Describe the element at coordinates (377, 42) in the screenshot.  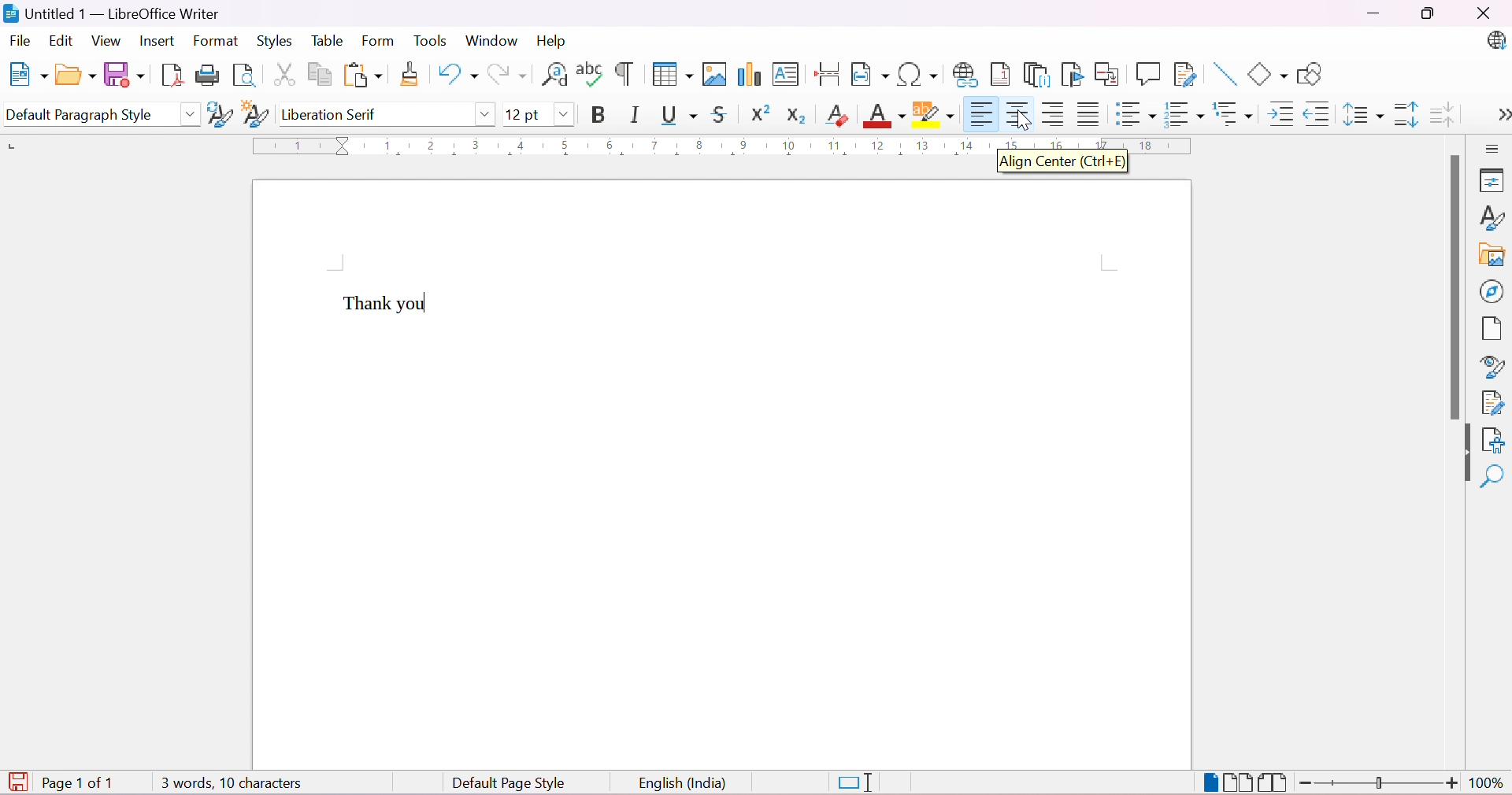
I see `Form` at that location.